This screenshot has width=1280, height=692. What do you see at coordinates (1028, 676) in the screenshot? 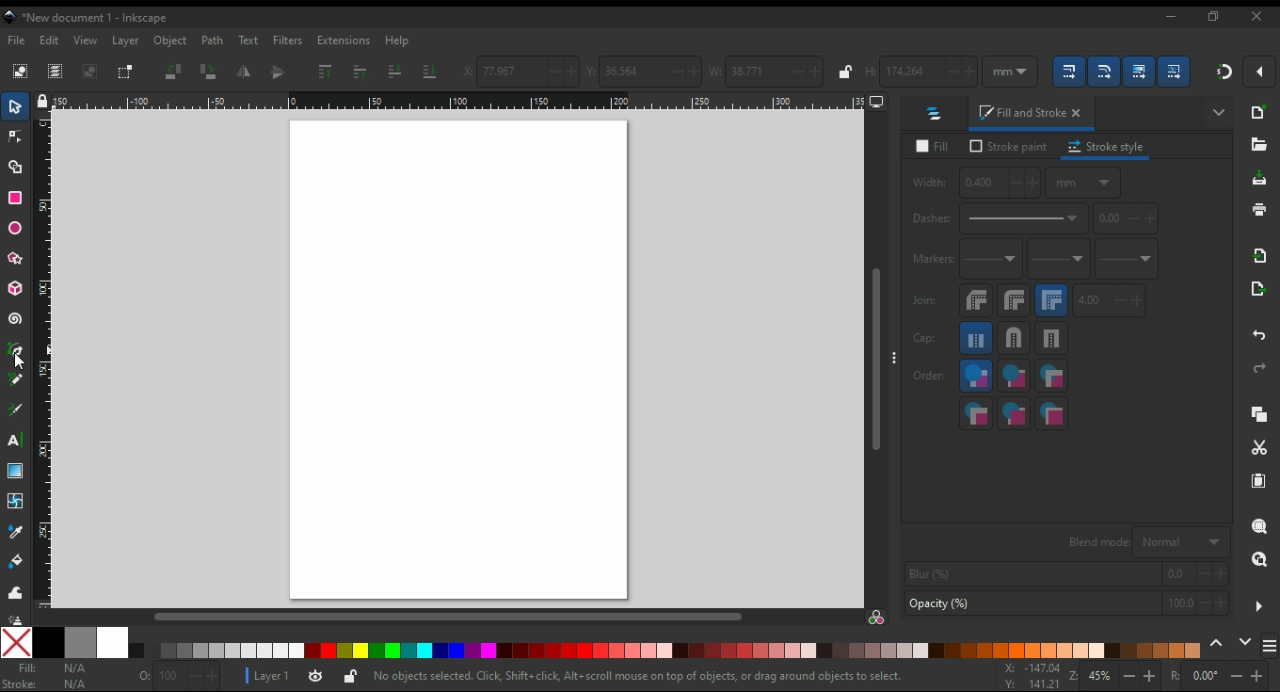
I see `cursor coordinates` at bounding box center [1028, 676].